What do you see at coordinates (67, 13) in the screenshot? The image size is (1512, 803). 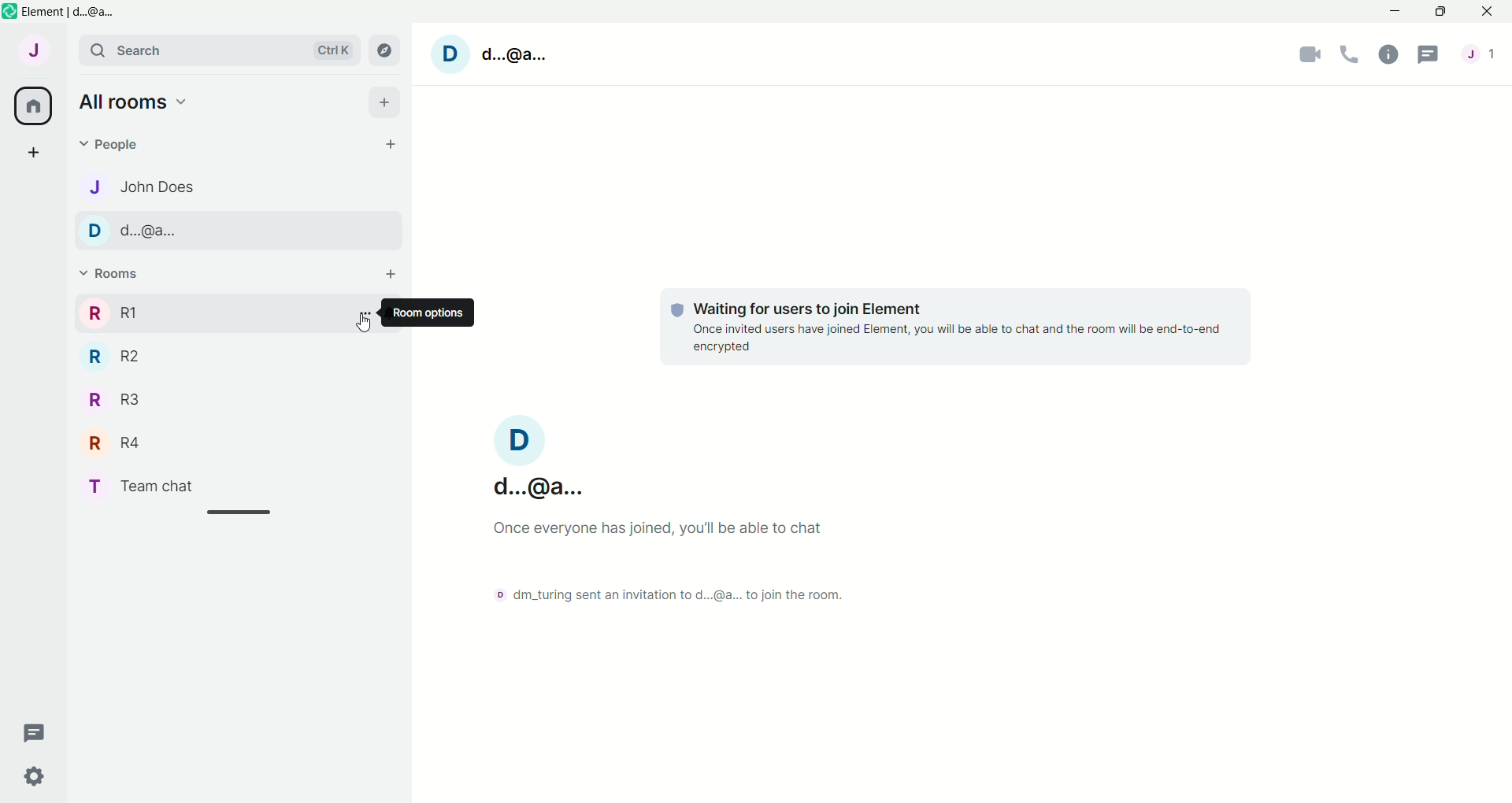 I see `Element | d...@a...` at bounding box center [67, 13].